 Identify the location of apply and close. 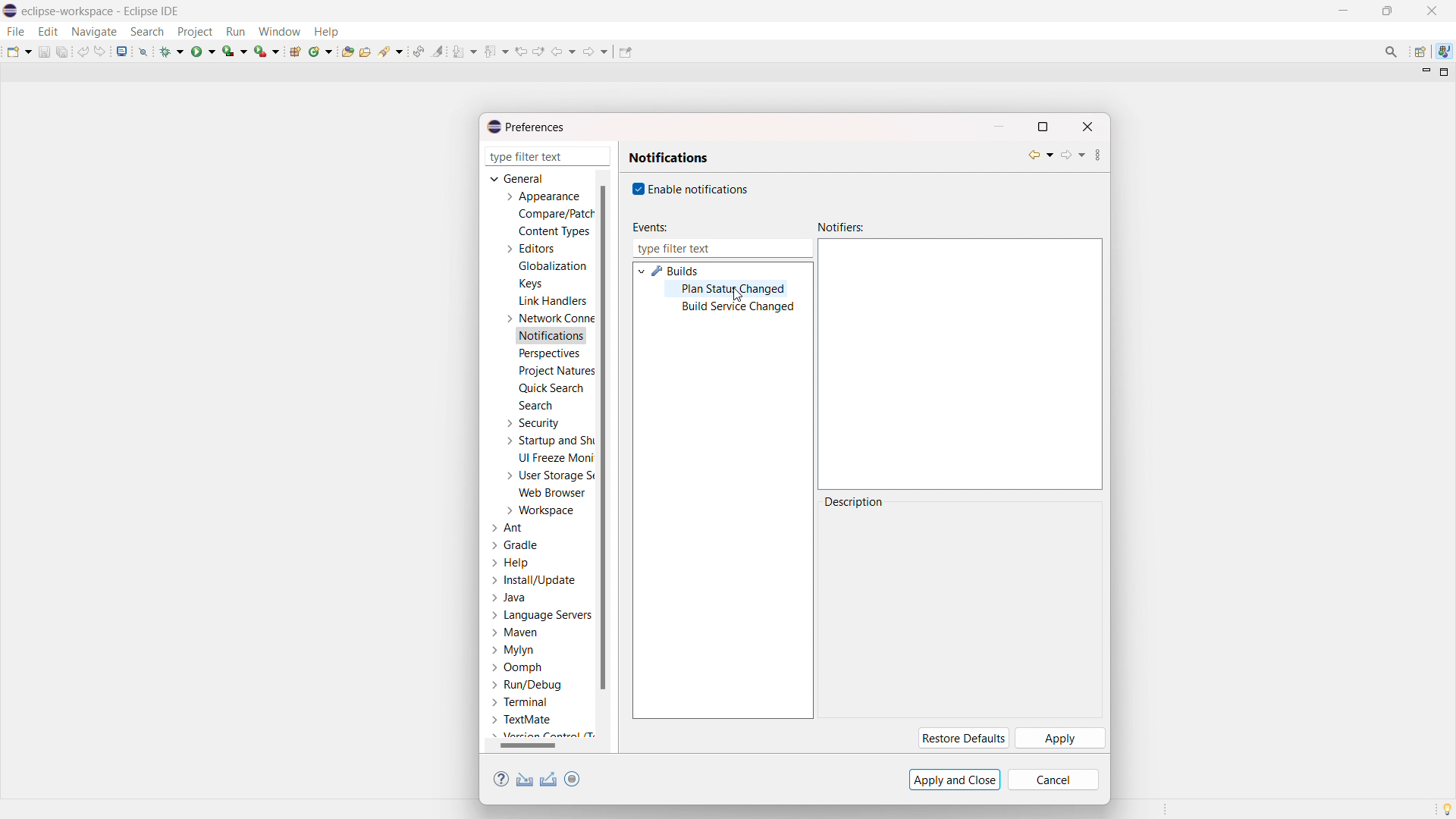
(955, 780).